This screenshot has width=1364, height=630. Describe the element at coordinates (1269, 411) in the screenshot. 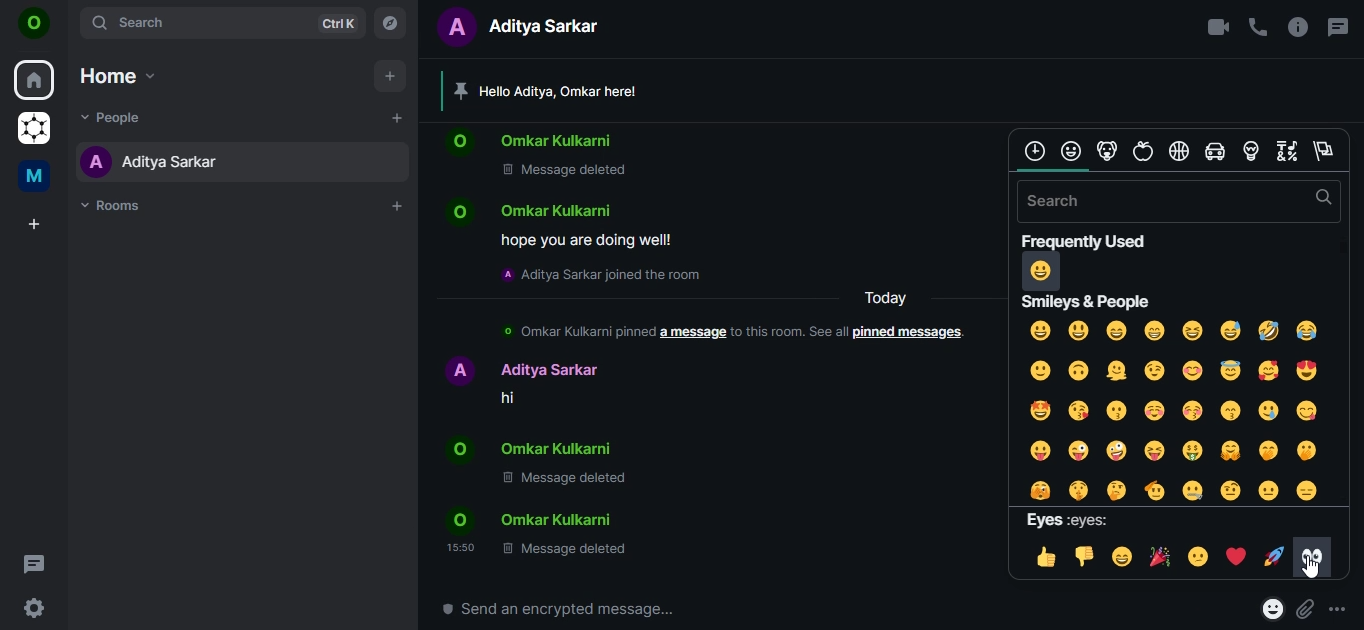

I see `smiling face with tear` at that location.